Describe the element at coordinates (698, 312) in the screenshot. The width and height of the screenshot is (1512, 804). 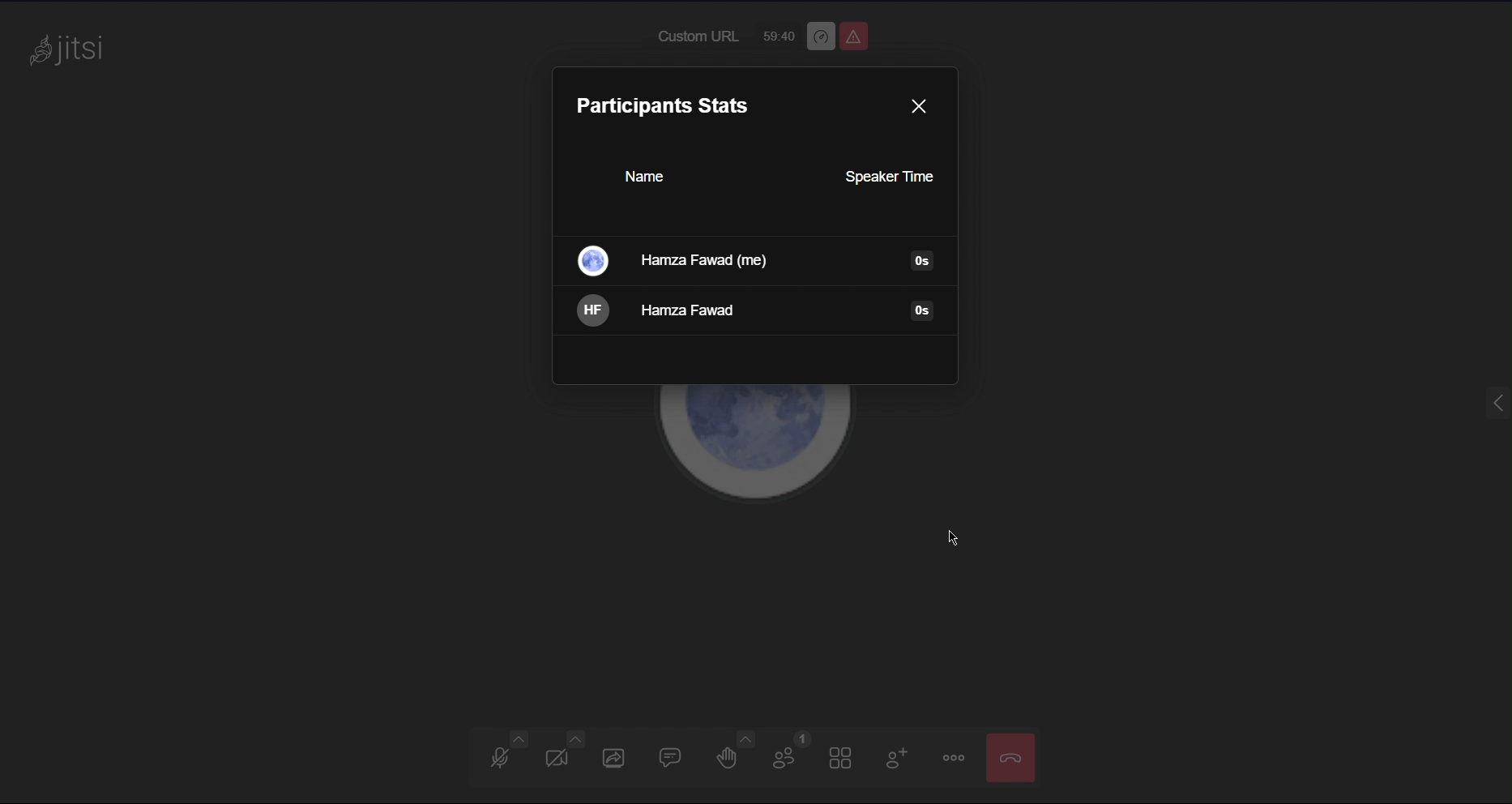
I see `Hamza Fawad` at that location.